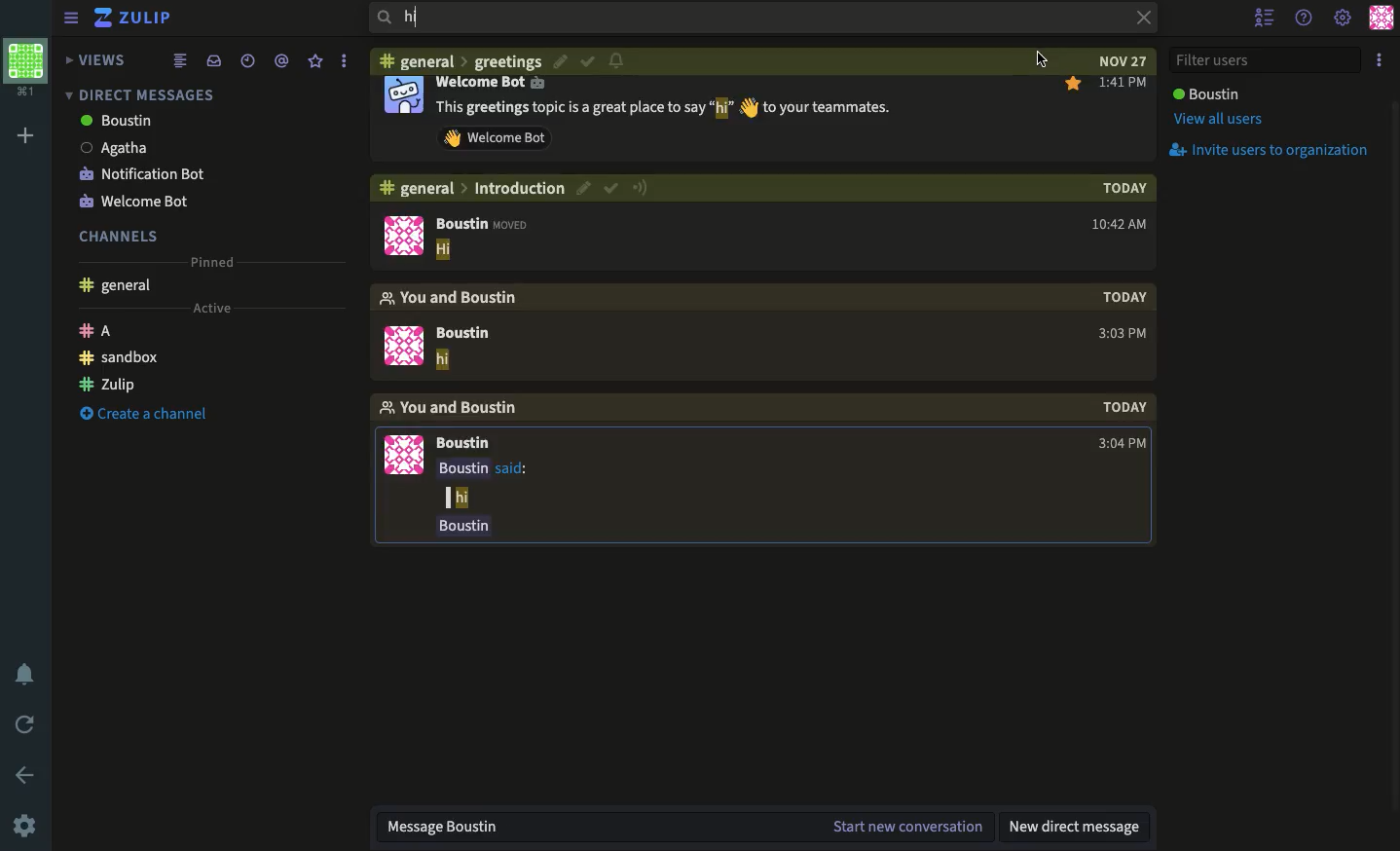 Image resolution: width=1400 pixels, height=851 pixels. What do you see at coordinates (445, 250) in the screenshot?
I see `hi` at bounding box center [445, 250].